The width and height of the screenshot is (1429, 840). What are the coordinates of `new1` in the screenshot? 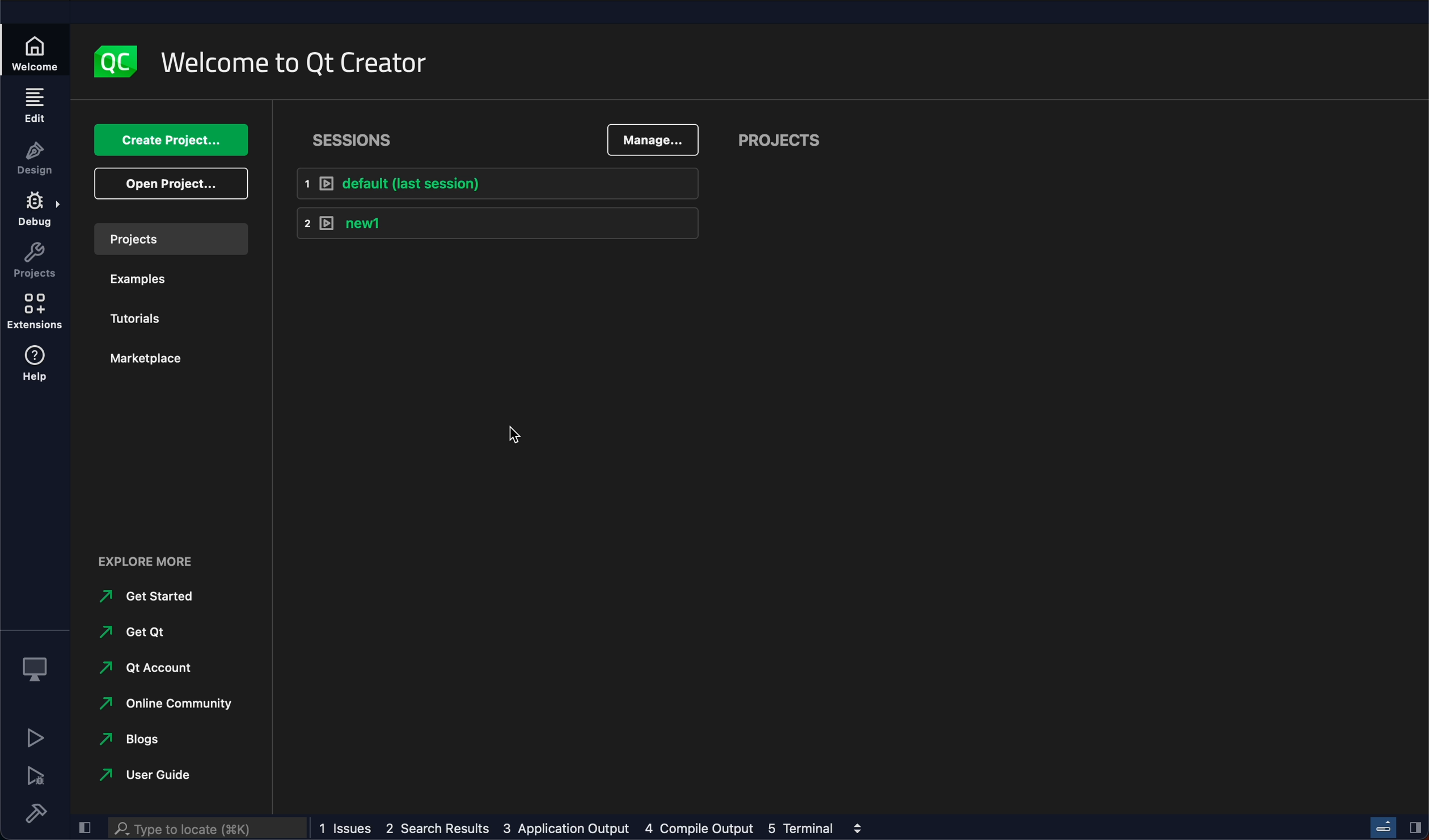 It's located at (495, 225).